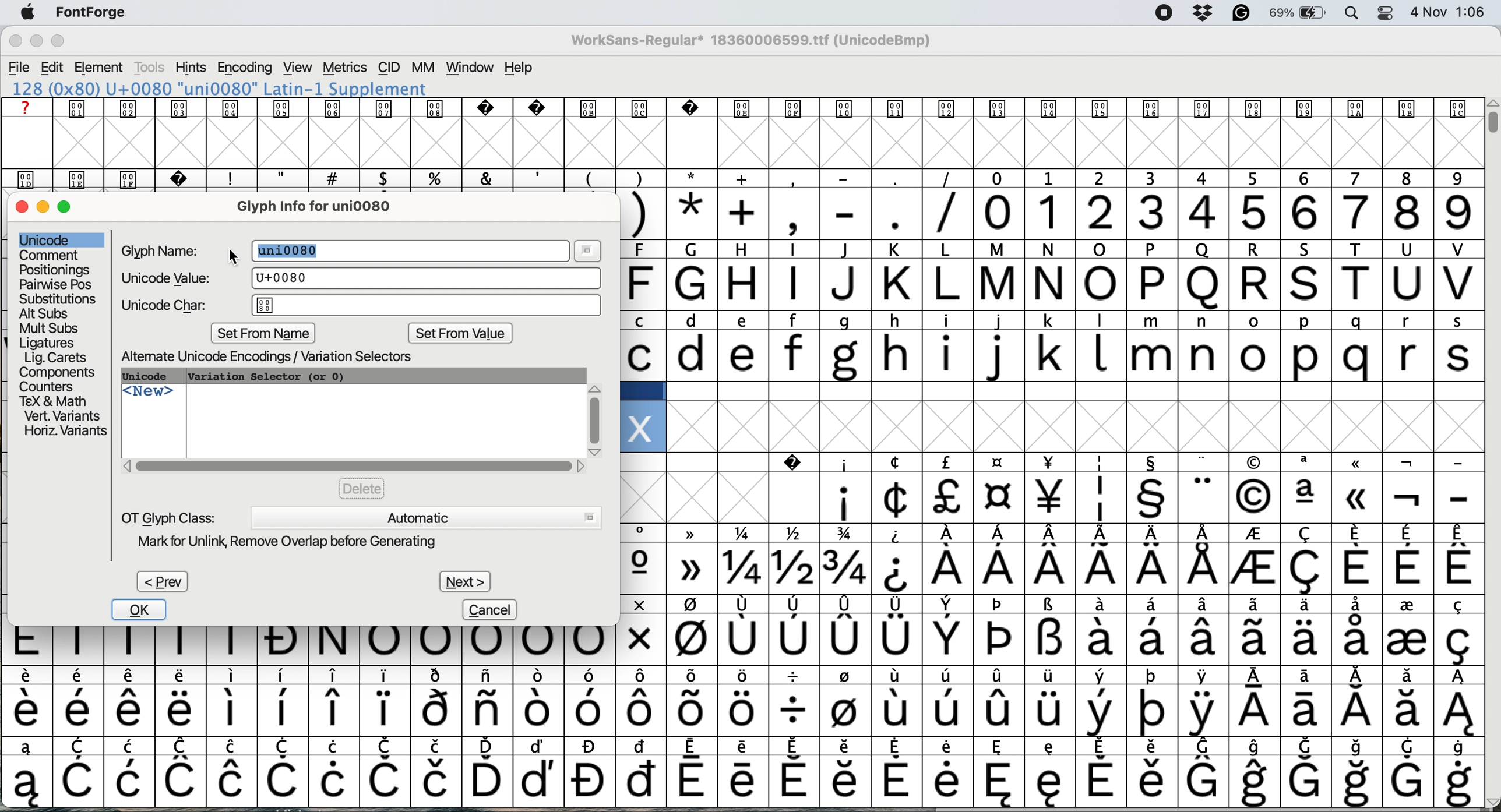 The image size is (1501, 812). What do you see at coordinates (1227, 211) in the screenshot?
I see `numbers` at bounding box center [1227, 211].